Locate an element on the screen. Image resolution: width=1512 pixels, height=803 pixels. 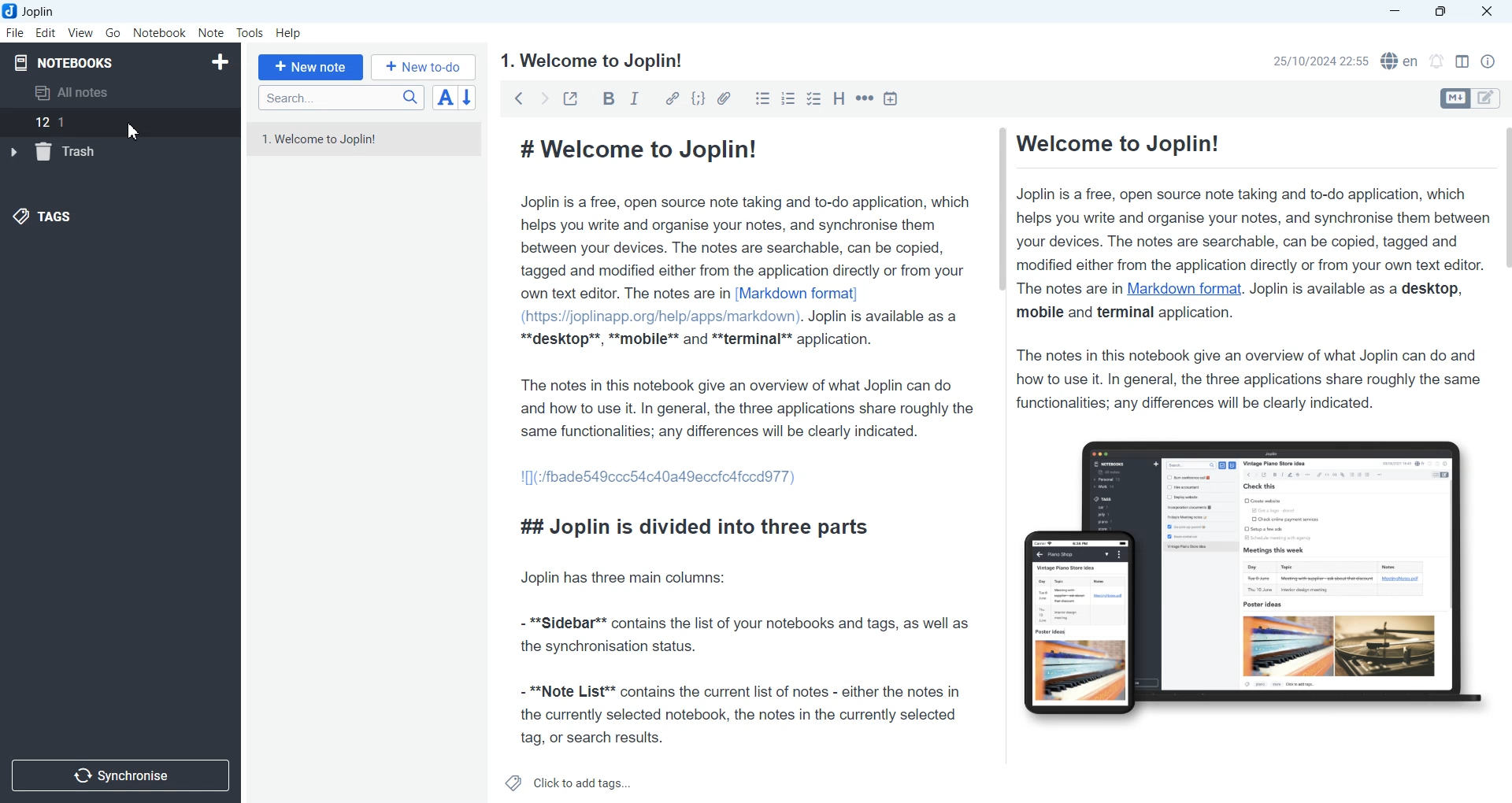
Figure is located at coordinates (1244, 576).